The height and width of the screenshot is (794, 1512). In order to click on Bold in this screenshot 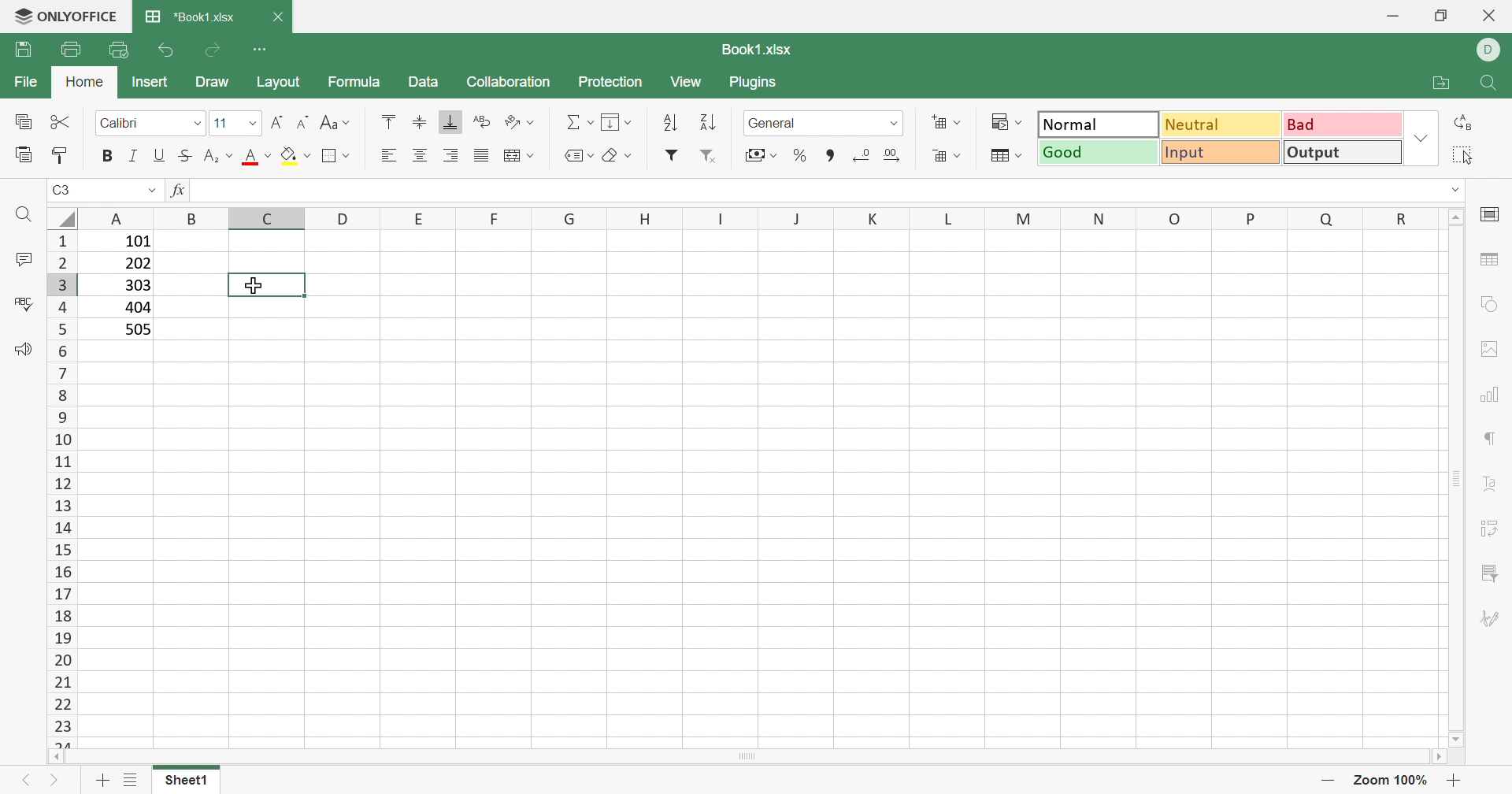, I will do `click(106, 155)`.